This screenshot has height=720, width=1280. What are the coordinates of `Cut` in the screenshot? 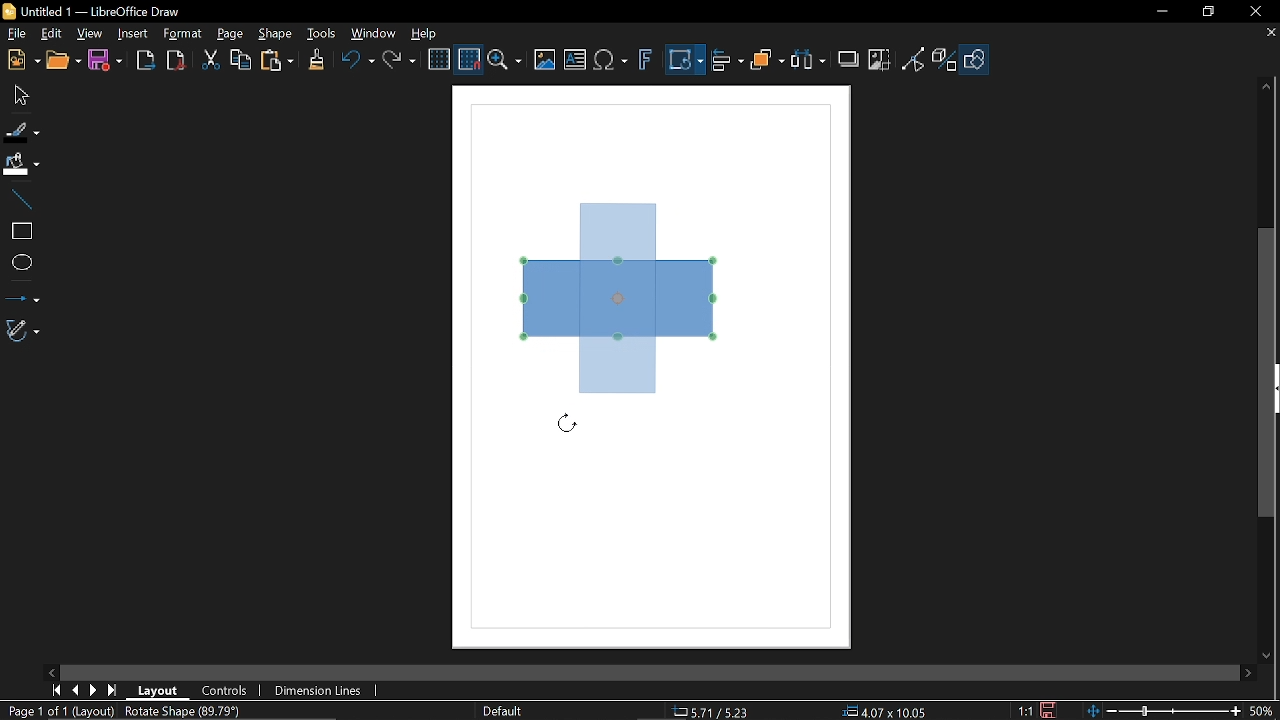 It's located at (209, 63).